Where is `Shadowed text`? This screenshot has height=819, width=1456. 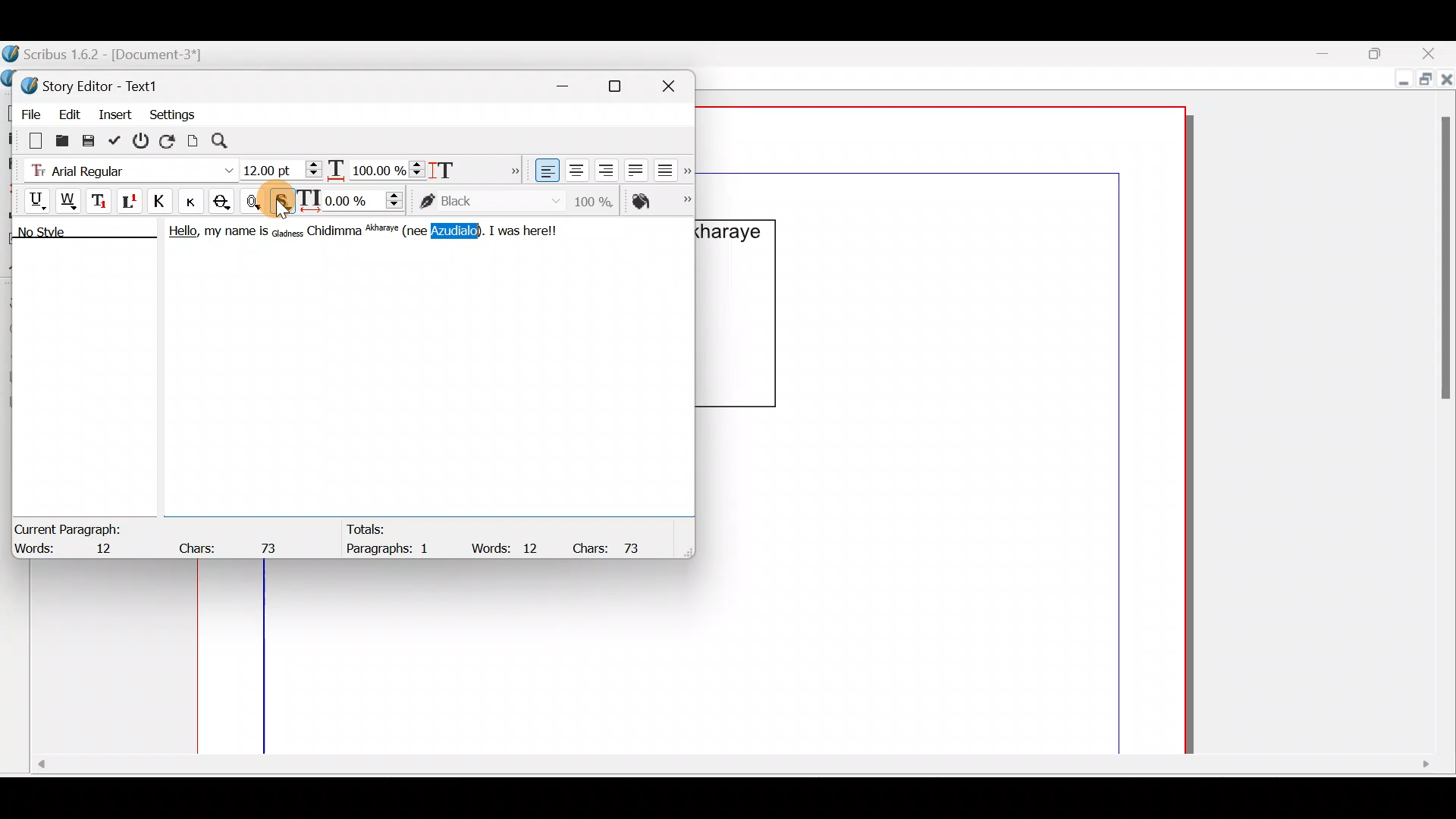
Shadowed text is located at coordinates (284, 199).